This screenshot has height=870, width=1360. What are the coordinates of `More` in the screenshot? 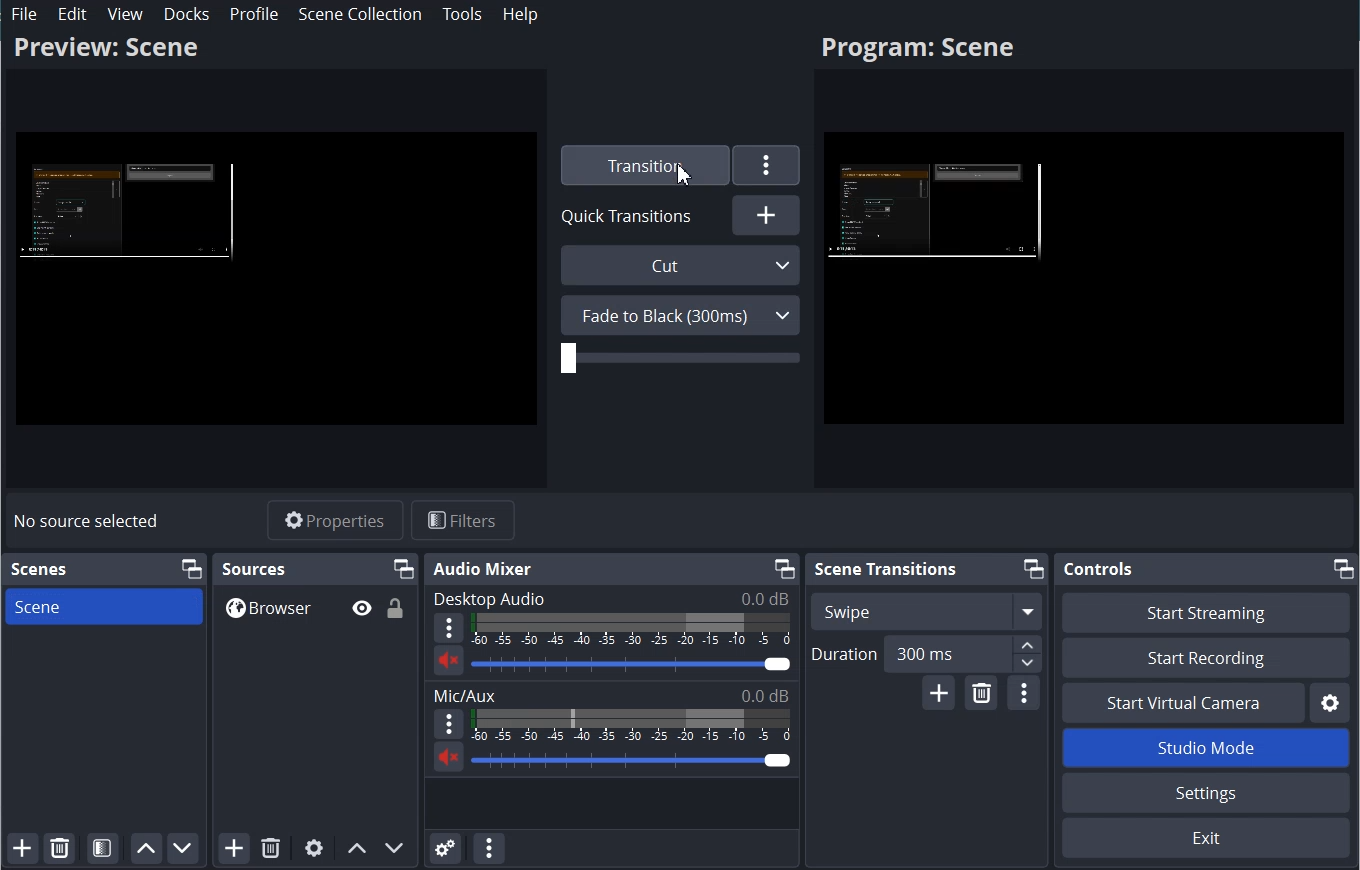 It's located at (449, 628).